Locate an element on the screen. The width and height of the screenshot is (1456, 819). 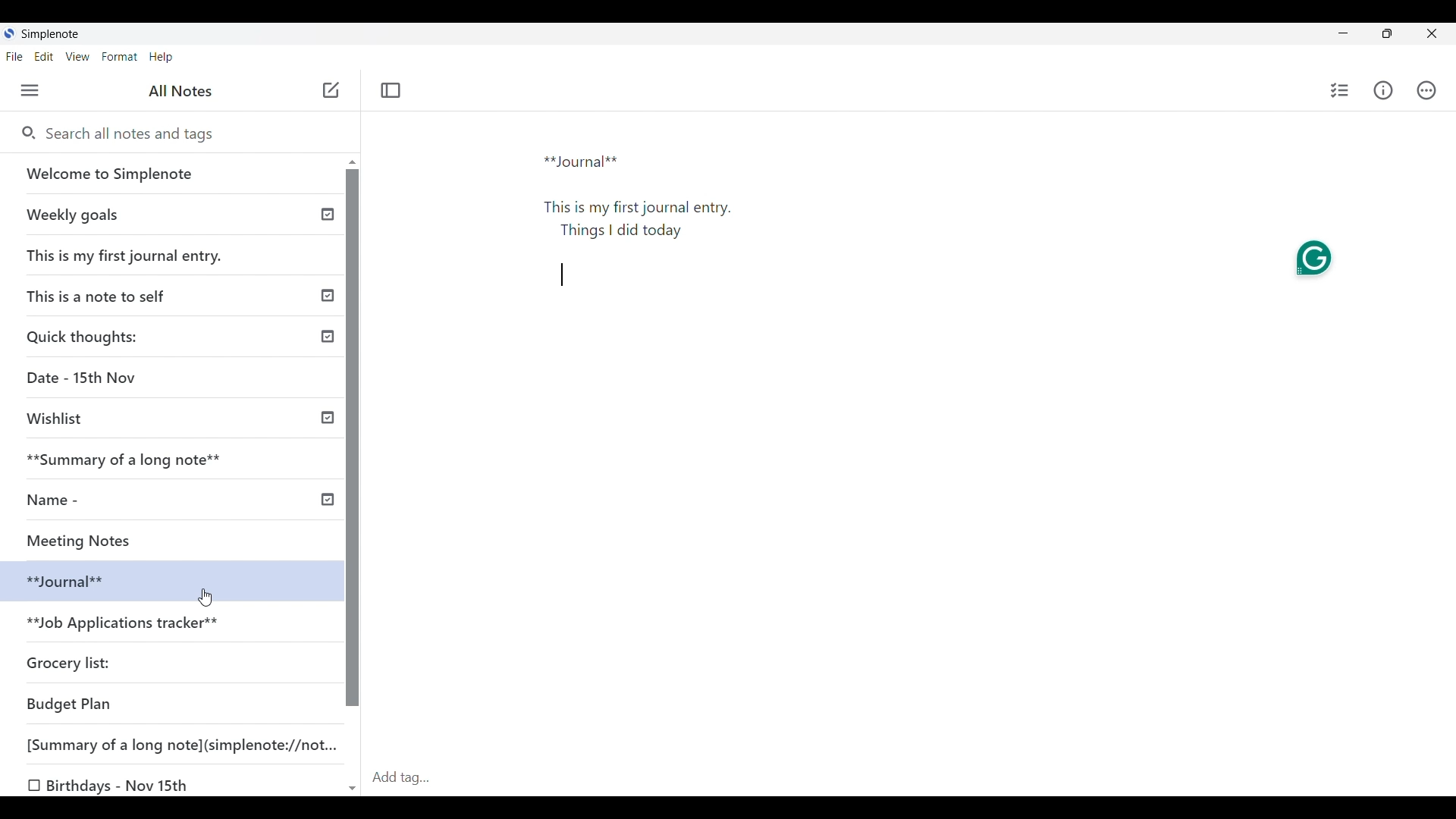
**Summary of a long note** is located at coordinates (134, 459).